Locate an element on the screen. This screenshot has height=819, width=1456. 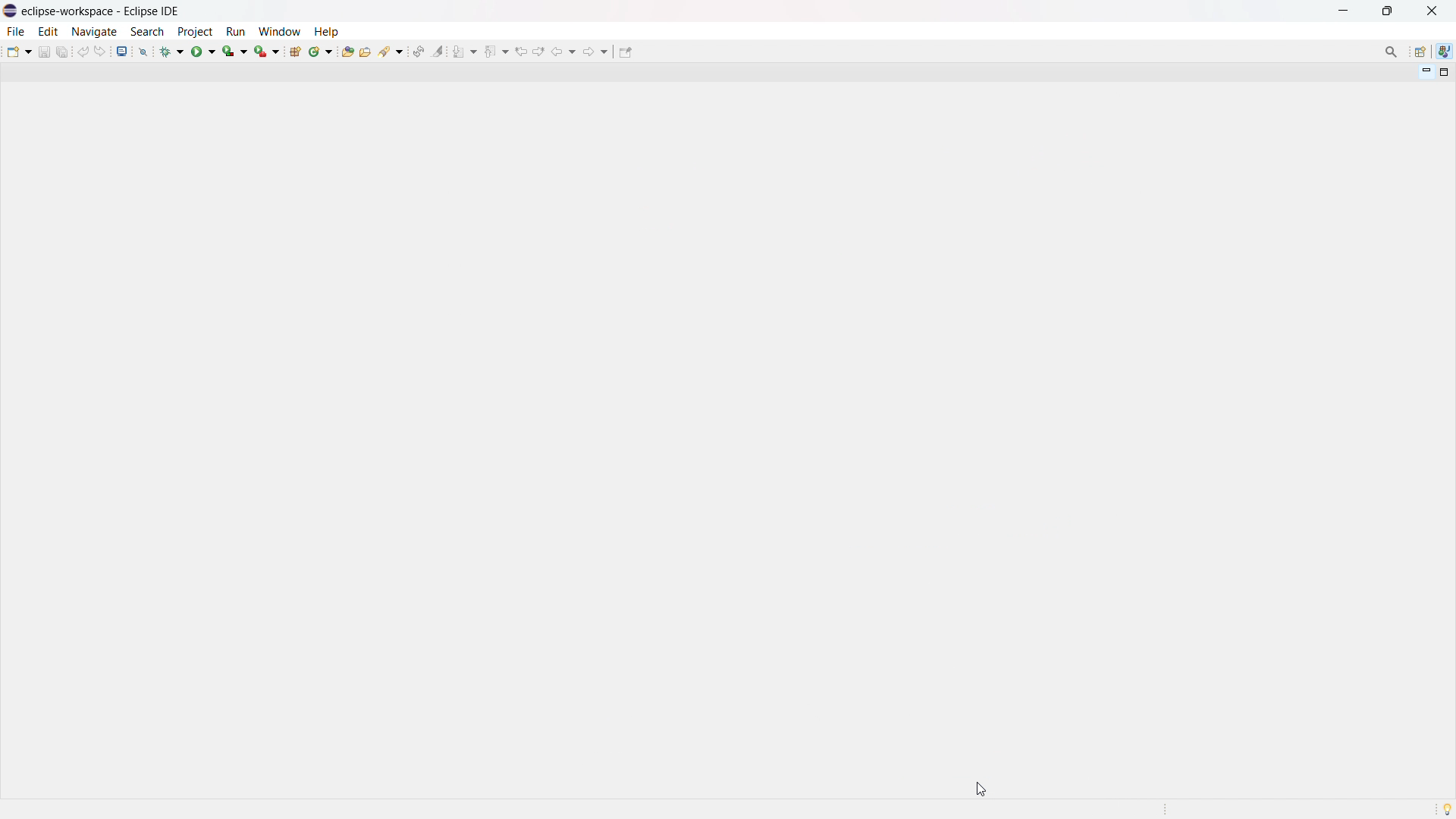
navigate is located at coordinates (93, 31).